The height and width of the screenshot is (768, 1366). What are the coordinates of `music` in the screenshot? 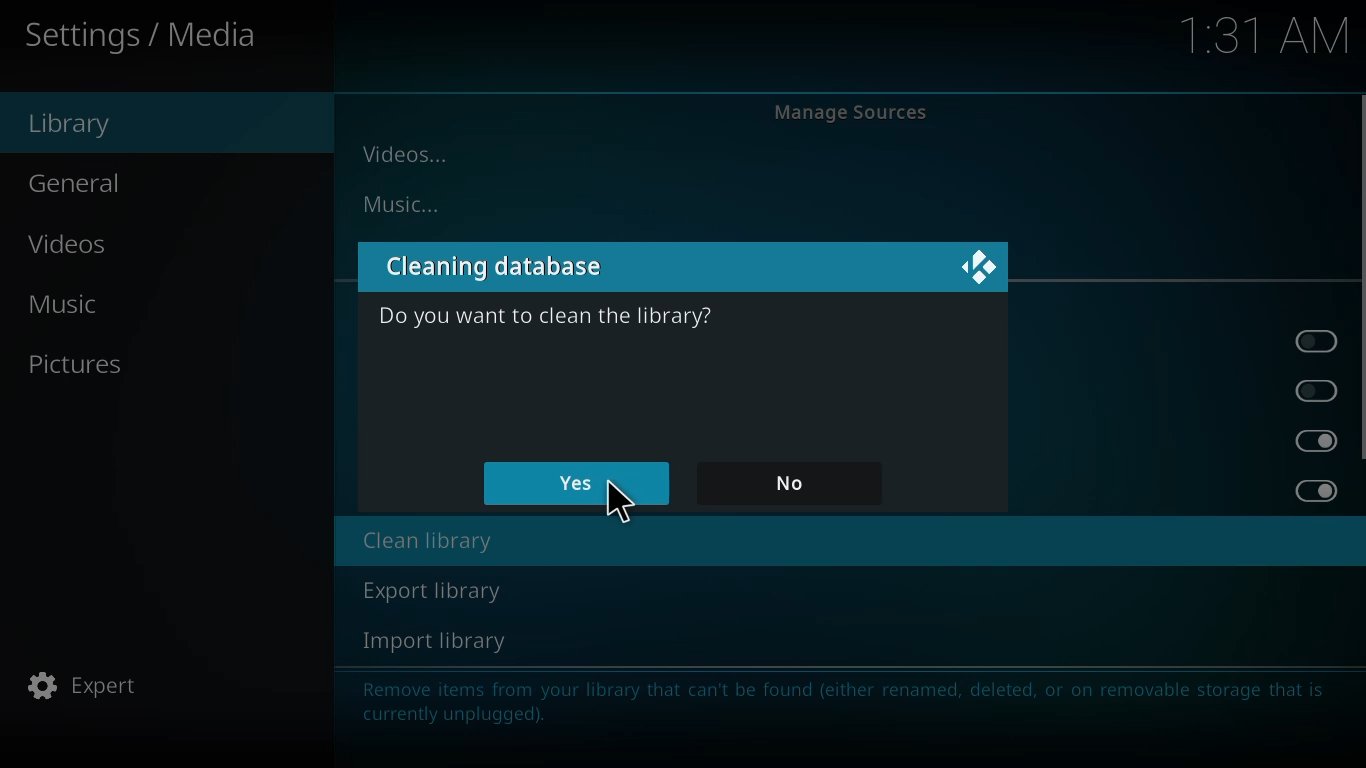 It's located at (408, 203).